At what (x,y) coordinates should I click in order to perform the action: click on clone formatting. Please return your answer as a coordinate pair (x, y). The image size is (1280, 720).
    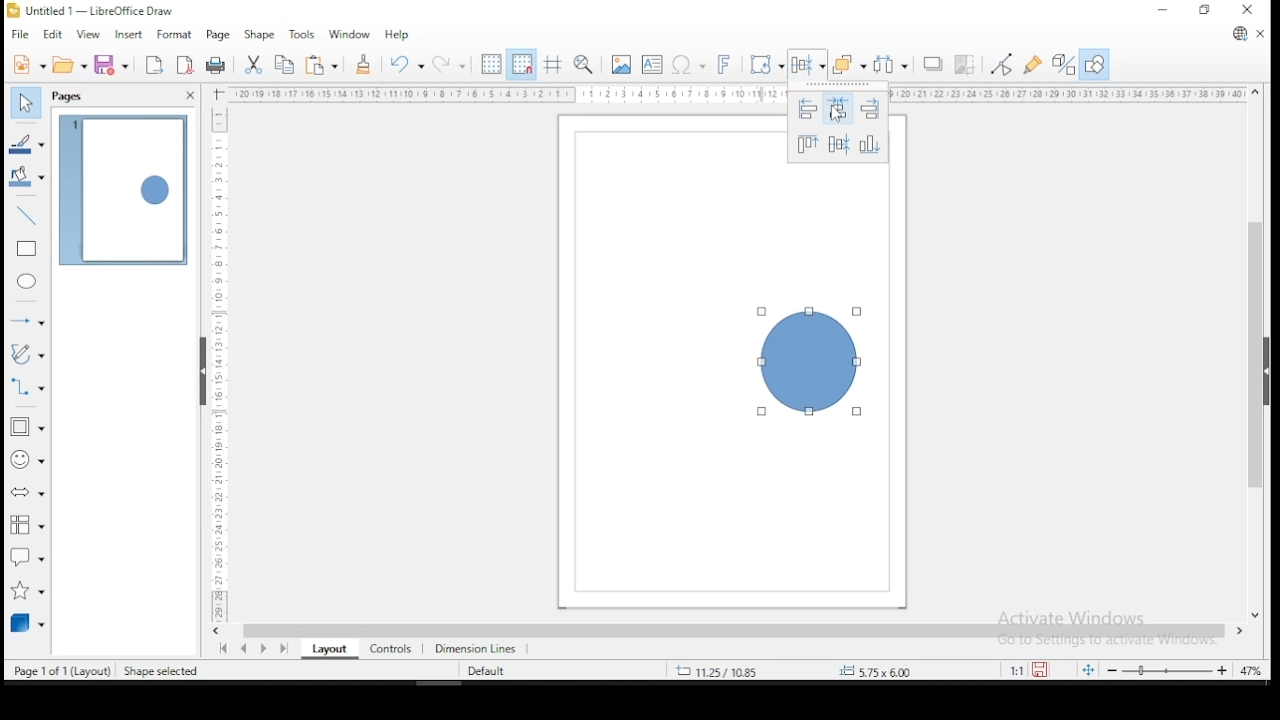
    Looking at the image, I should click on (363, 64).